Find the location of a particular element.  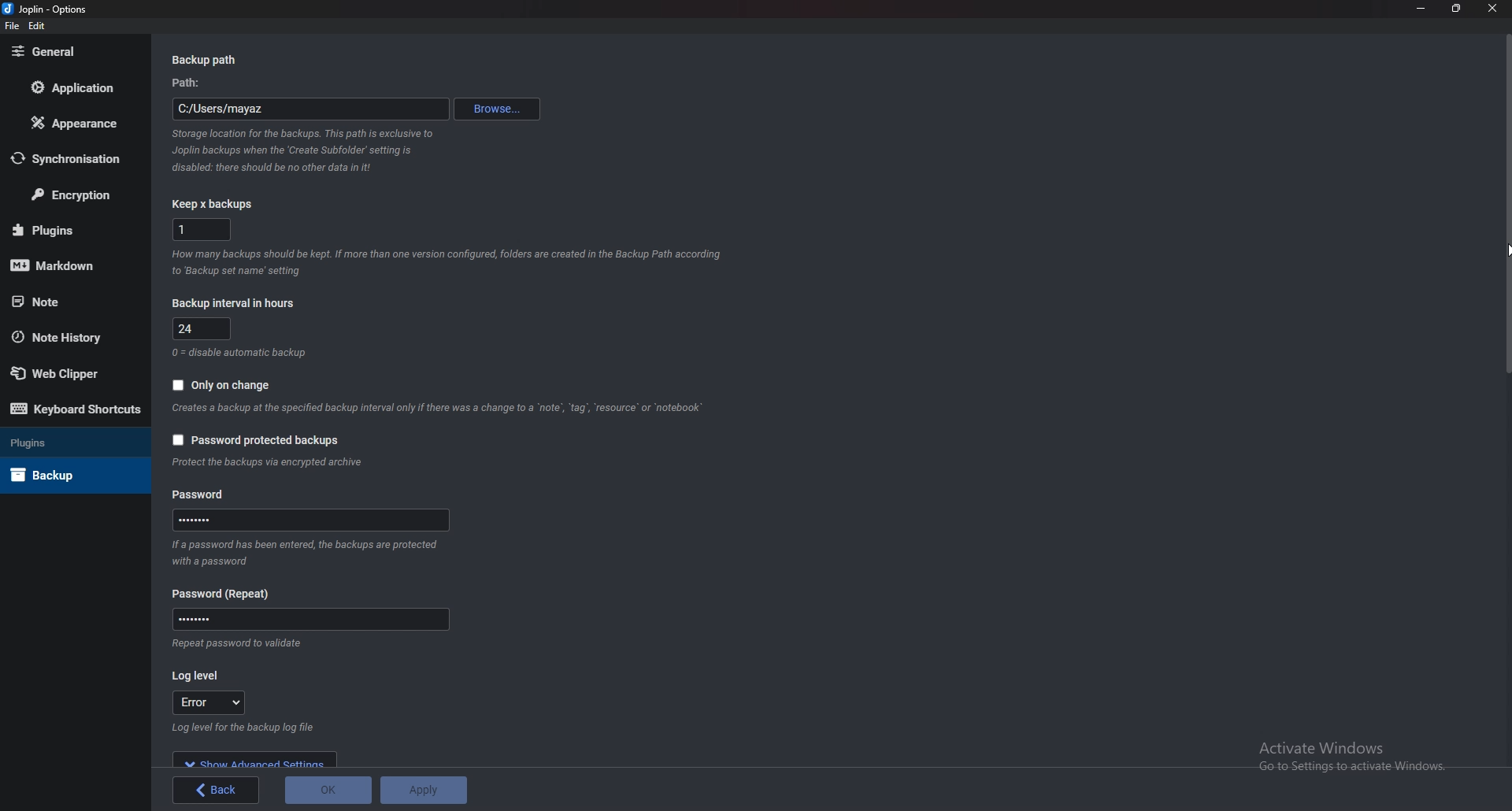

Show advanced settings is located at coordinates (257, 759).